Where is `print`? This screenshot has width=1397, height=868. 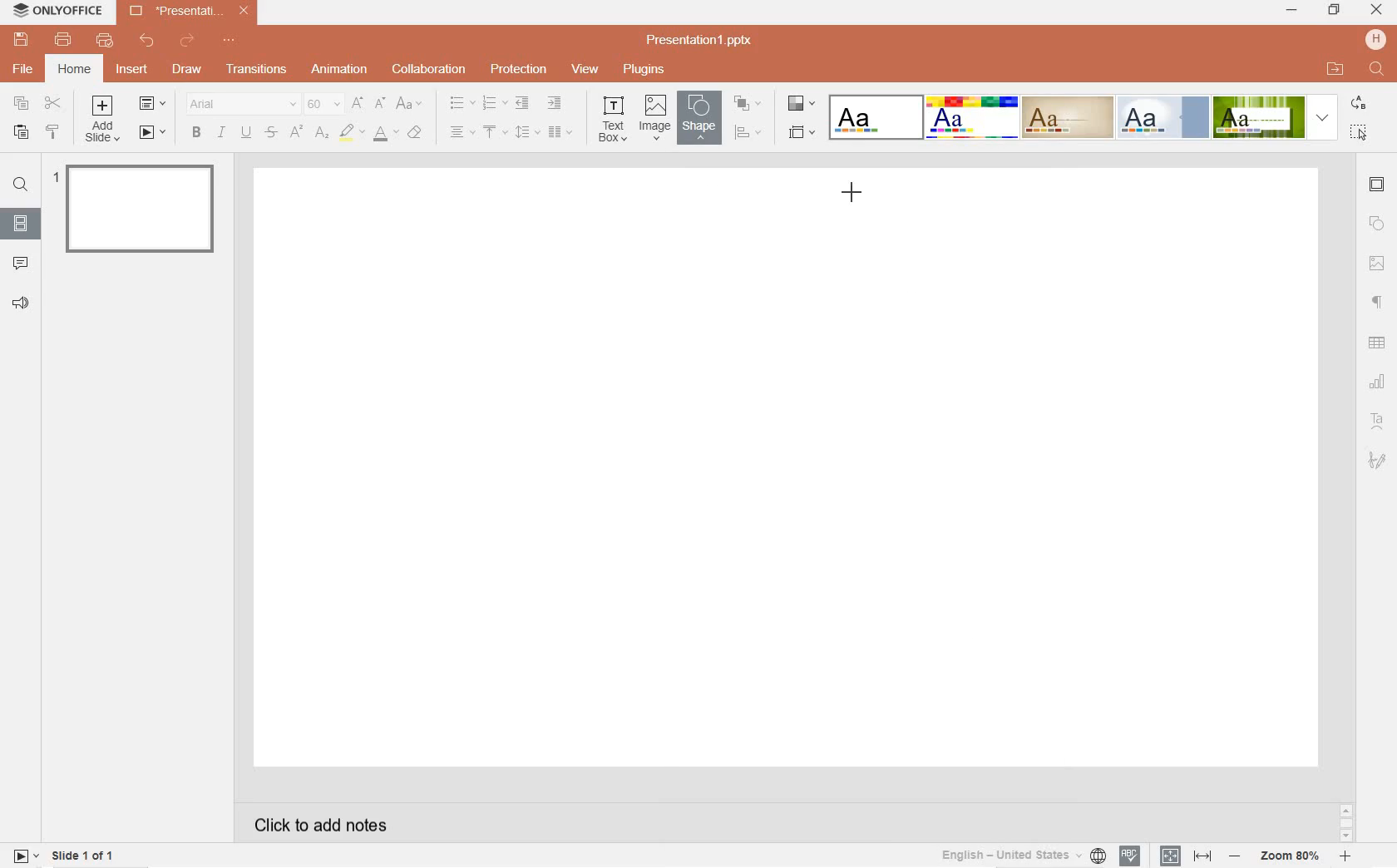
print is located at coordinates (64, 40).